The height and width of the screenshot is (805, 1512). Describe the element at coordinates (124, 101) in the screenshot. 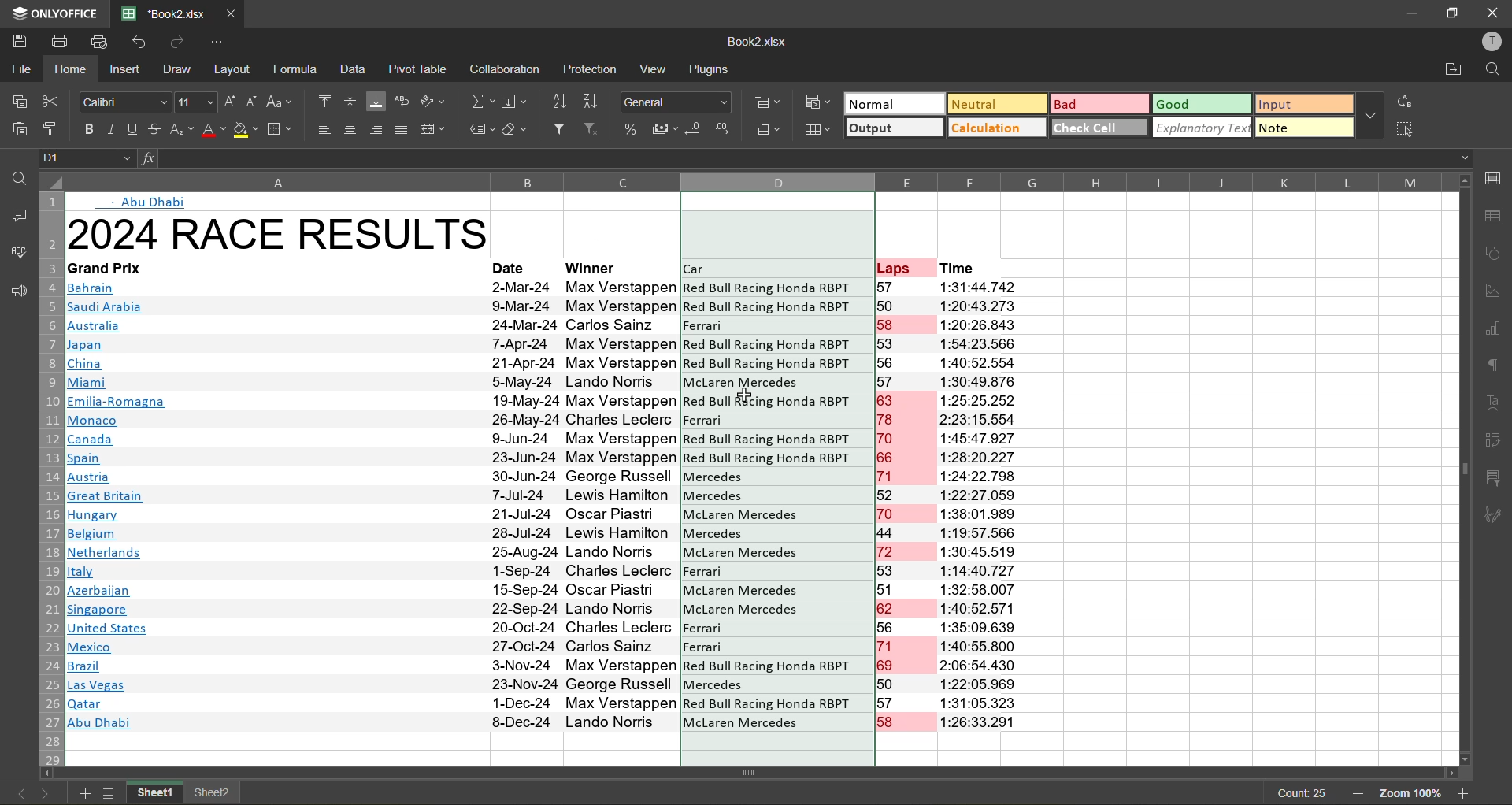

I see `Calibri` at that location.